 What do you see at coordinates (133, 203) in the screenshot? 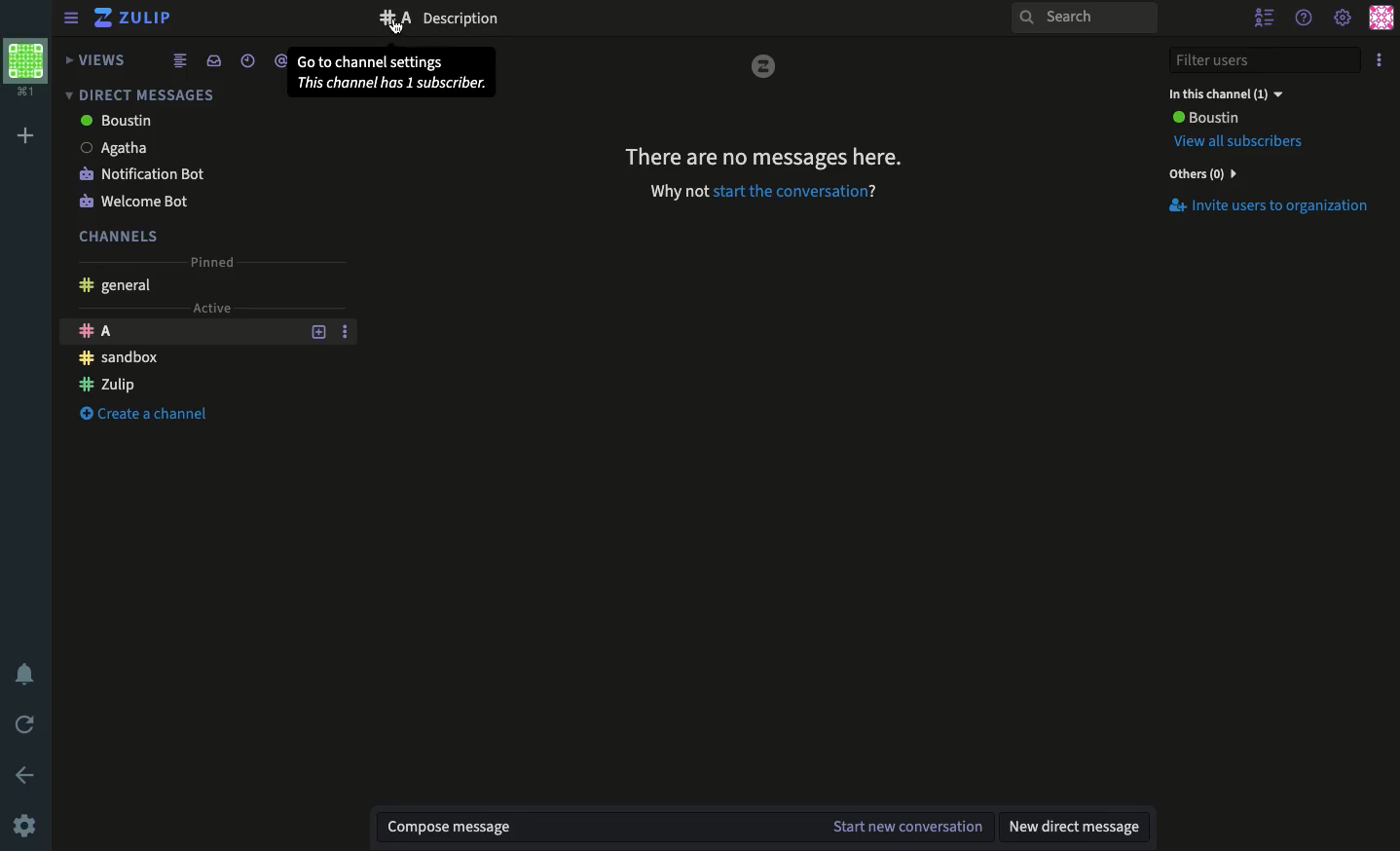
I see `Welcome bot` at bounding box center [133, 203].